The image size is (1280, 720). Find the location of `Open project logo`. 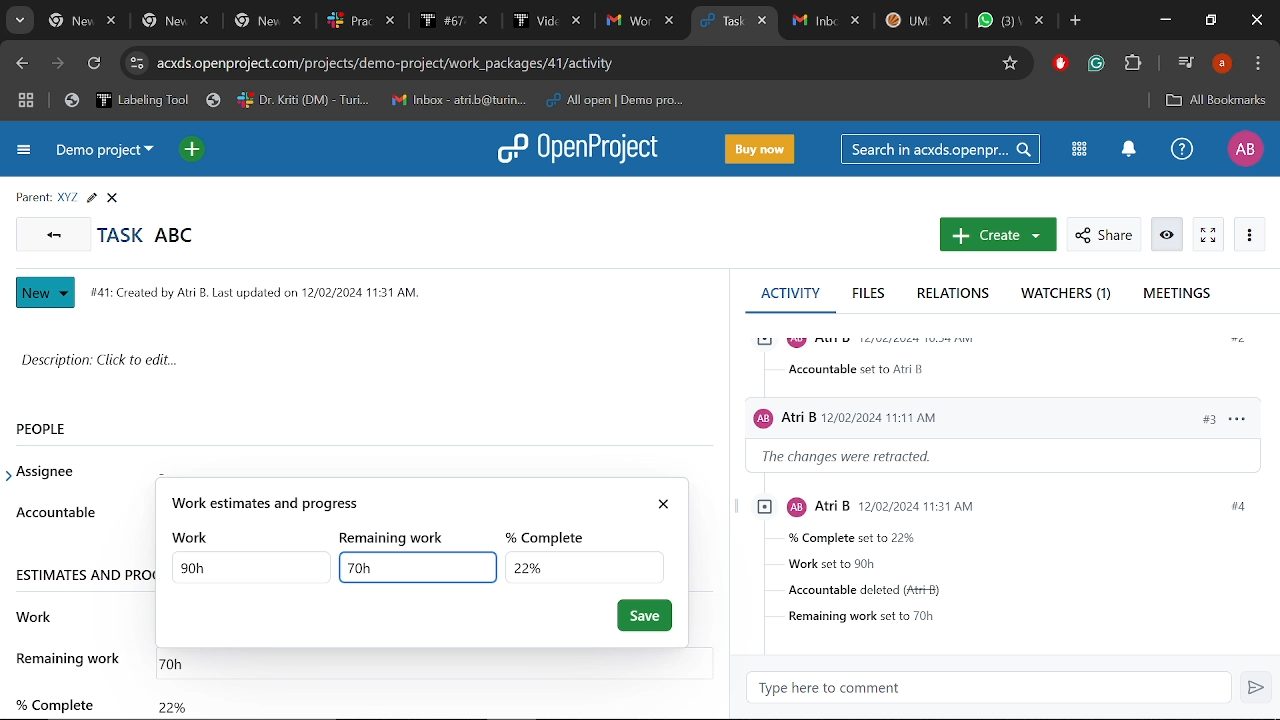

Open project logo is located at coordinates (584, 150).